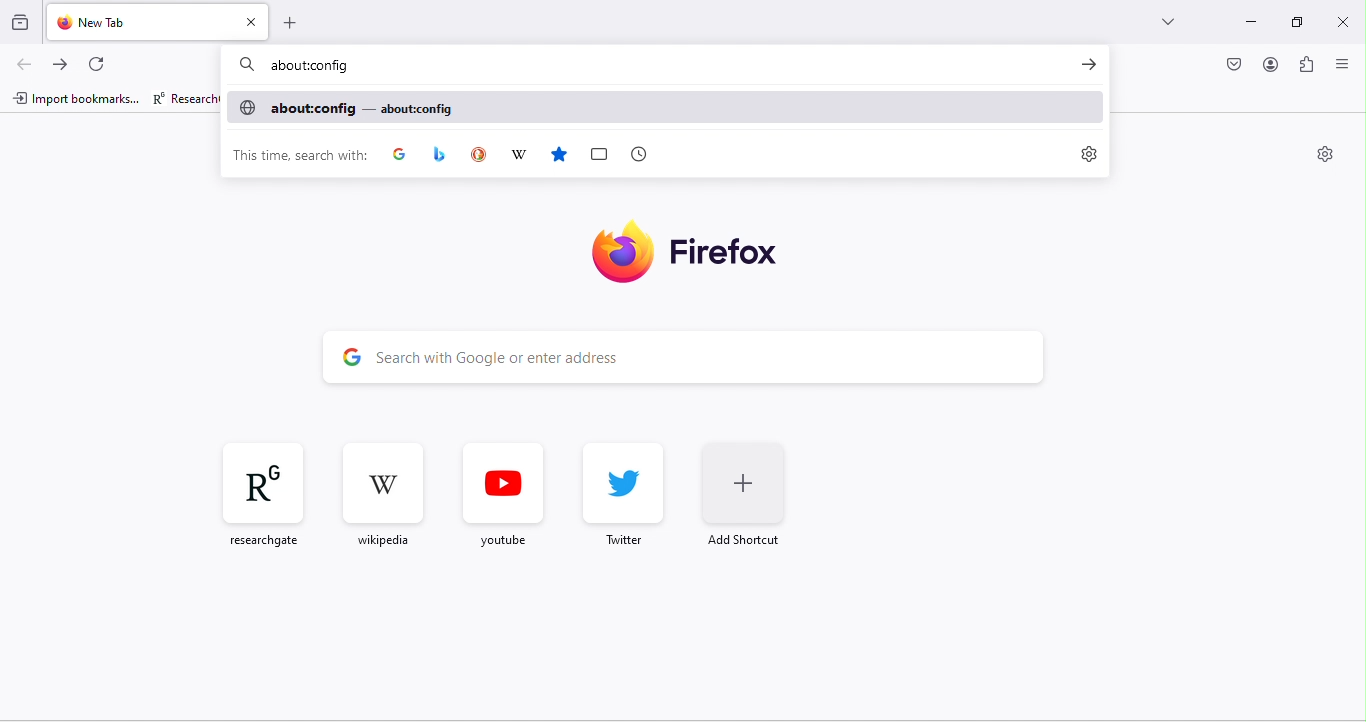 This screenshot has height=722, width=1366. I want to click on import bookmarks, so click(76, 99).